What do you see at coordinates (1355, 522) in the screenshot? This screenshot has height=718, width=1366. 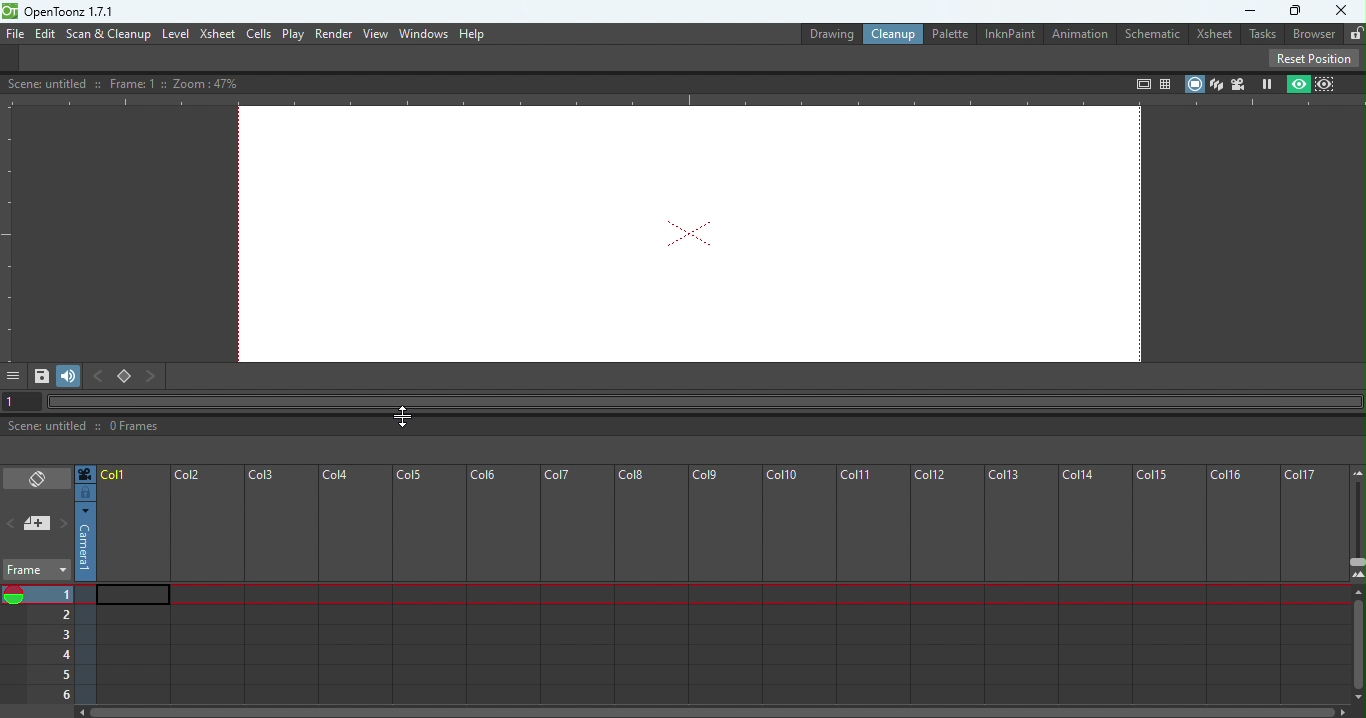 I see `Zoom in/out of Xsheet` at bounding box center [1355, 522].